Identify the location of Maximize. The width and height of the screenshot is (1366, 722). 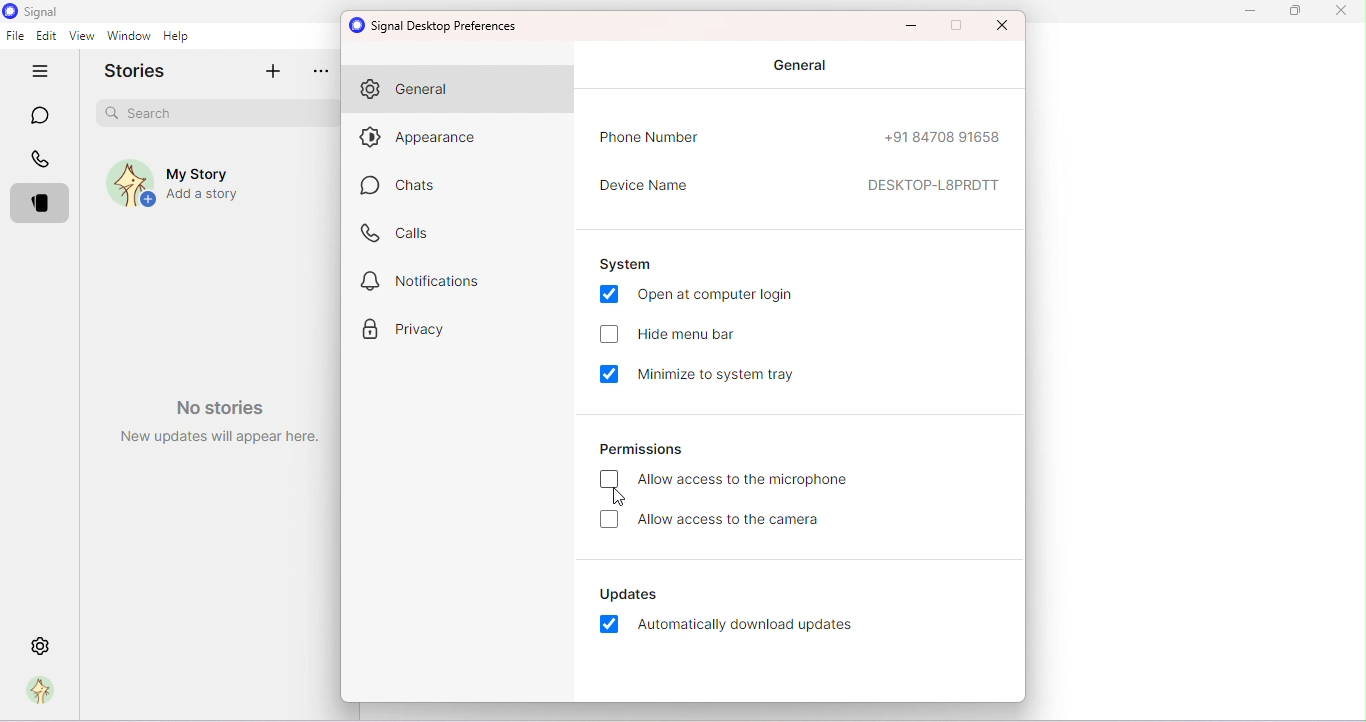
(958, 27).